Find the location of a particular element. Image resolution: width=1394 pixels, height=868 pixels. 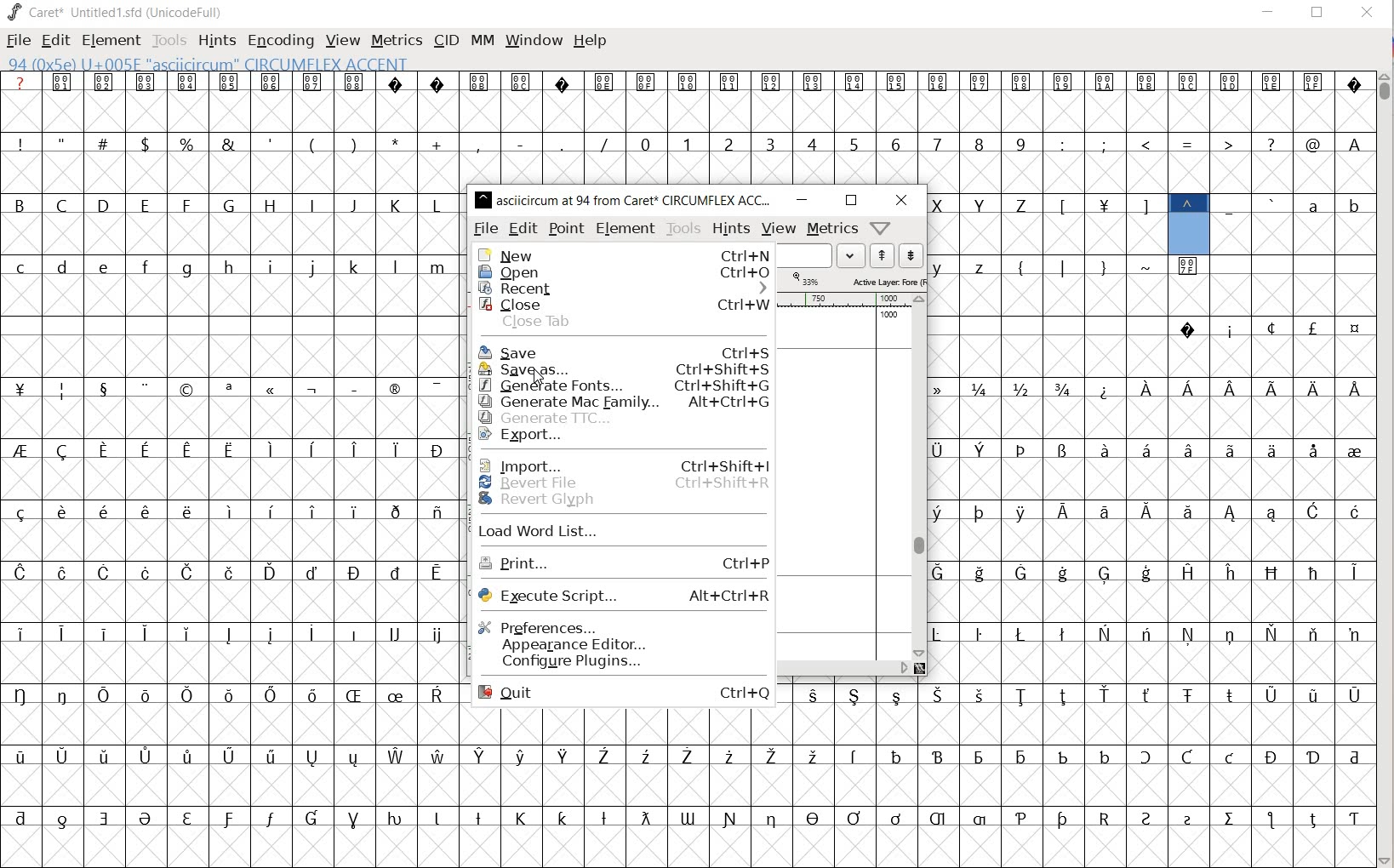

VIEW is located at coordinates (342, 41).